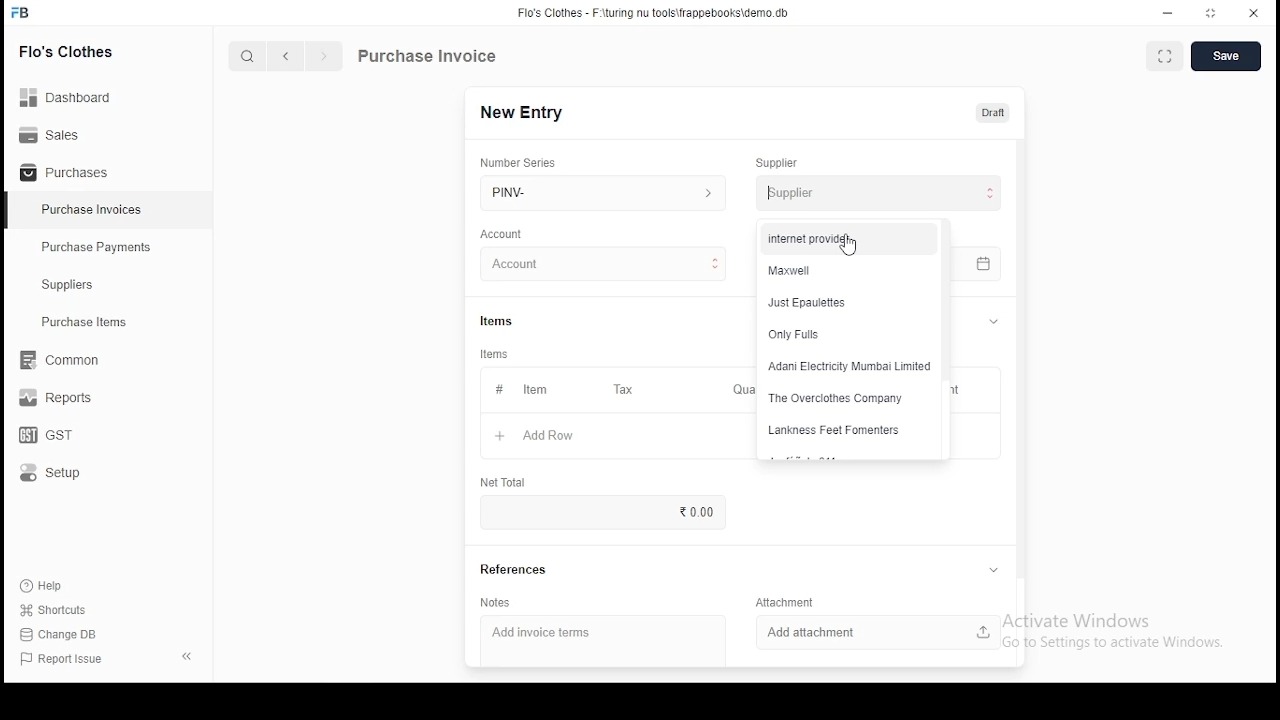 The height and width of the screenshot is (720, 1280). Describe the element at coordinates (1228, 57) in the screenshot. I see `create` at that location.